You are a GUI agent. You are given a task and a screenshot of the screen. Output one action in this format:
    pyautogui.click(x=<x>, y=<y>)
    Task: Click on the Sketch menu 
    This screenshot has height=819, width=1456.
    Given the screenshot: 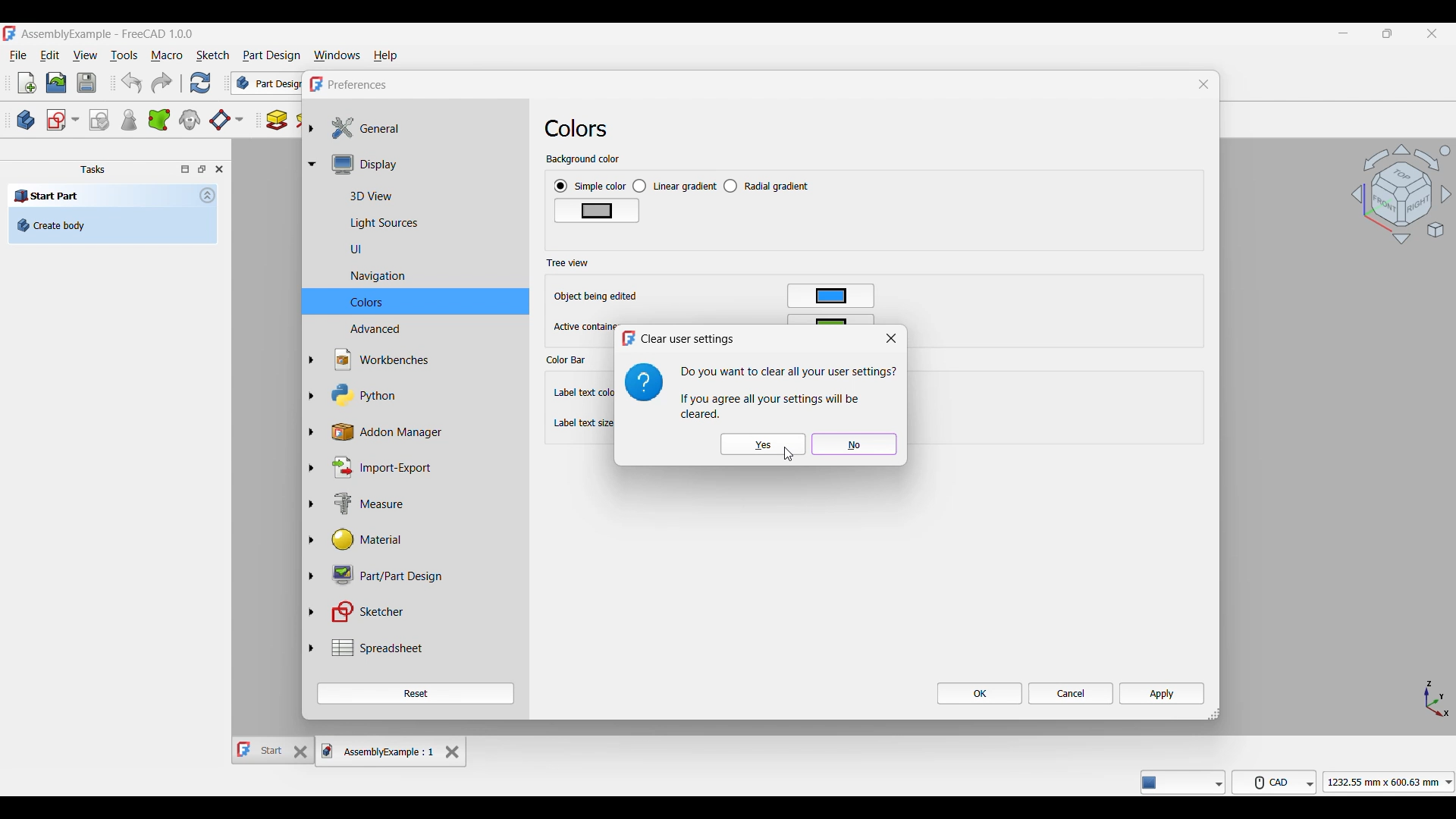 What is the action you would take?
    pyautogui.click(x=213, y=55)
    